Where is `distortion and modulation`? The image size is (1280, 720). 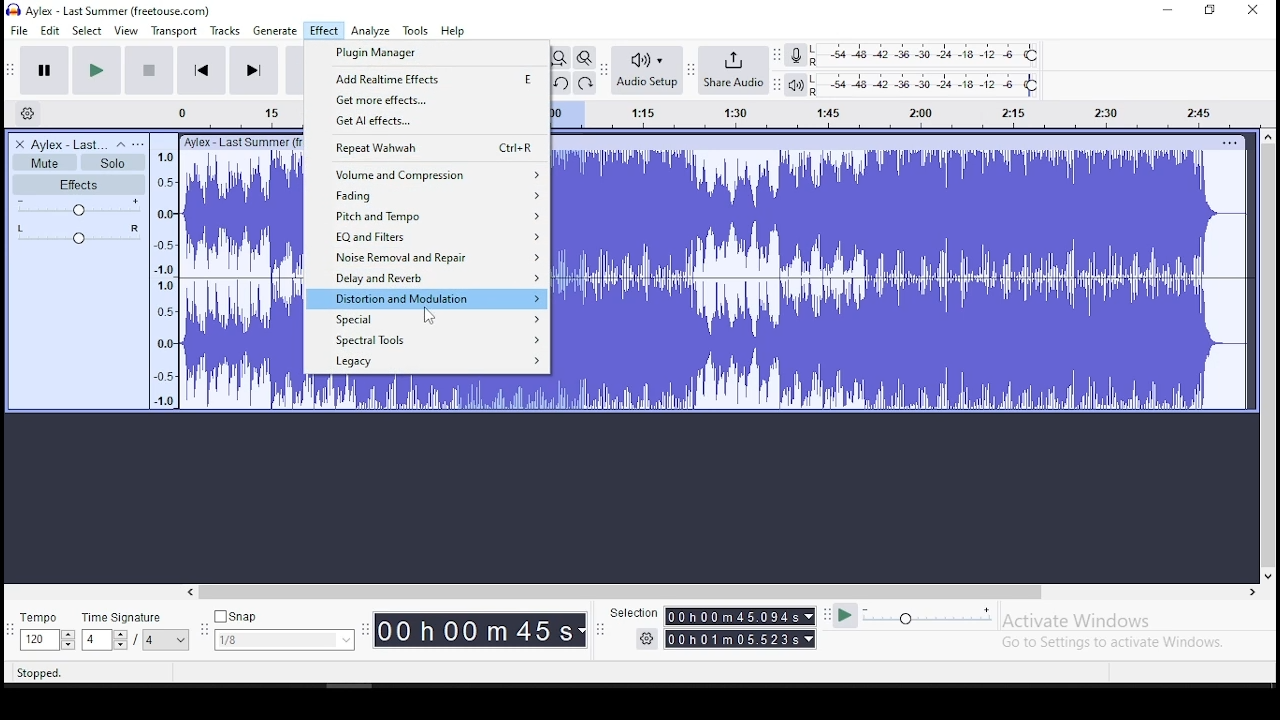 distortion and modulation is located at coordinates (425, 299).